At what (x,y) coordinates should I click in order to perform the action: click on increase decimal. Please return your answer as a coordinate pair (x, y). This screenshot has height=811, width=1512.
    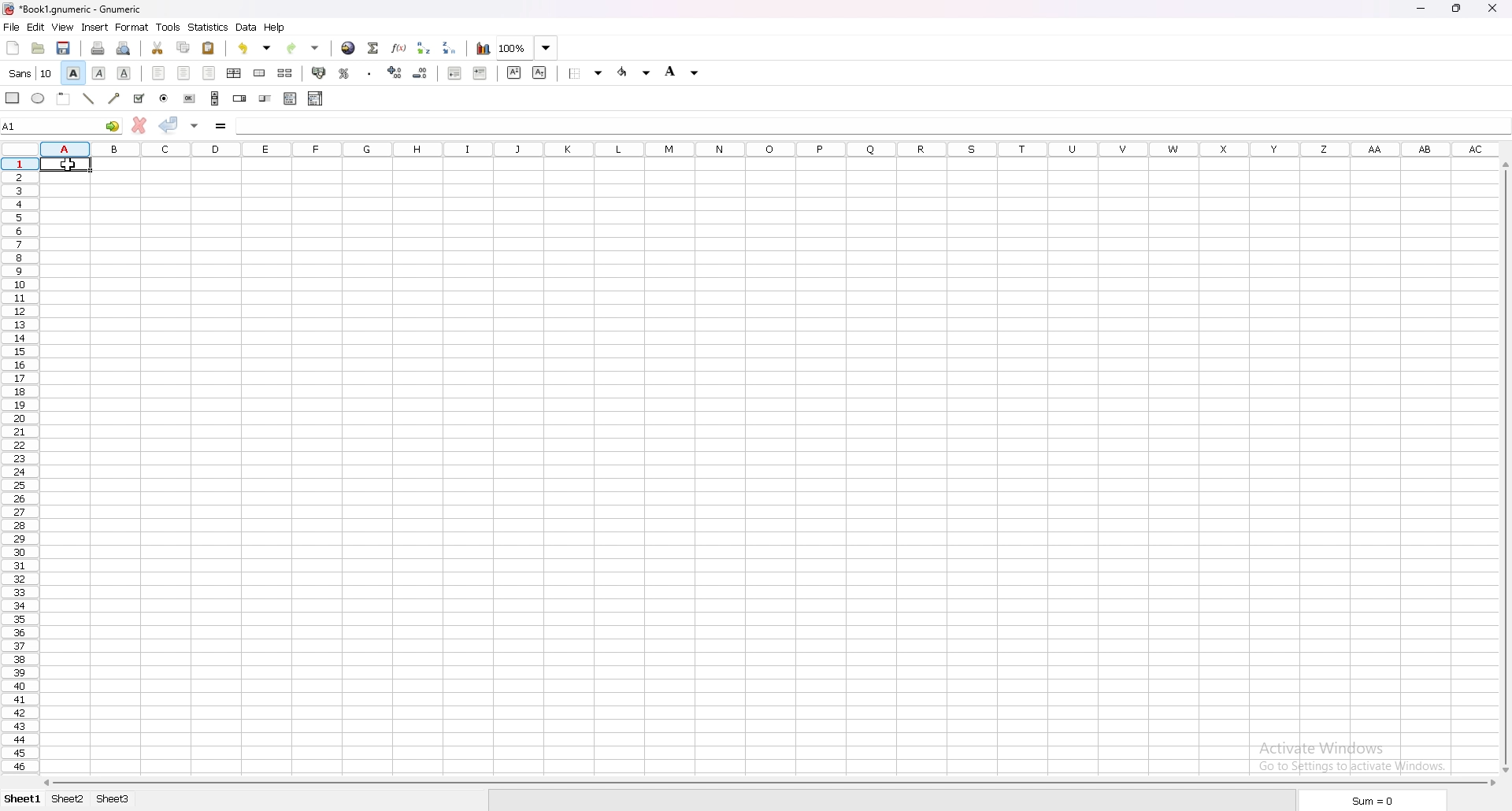
    Looking at the image, I should click on (394, 72).